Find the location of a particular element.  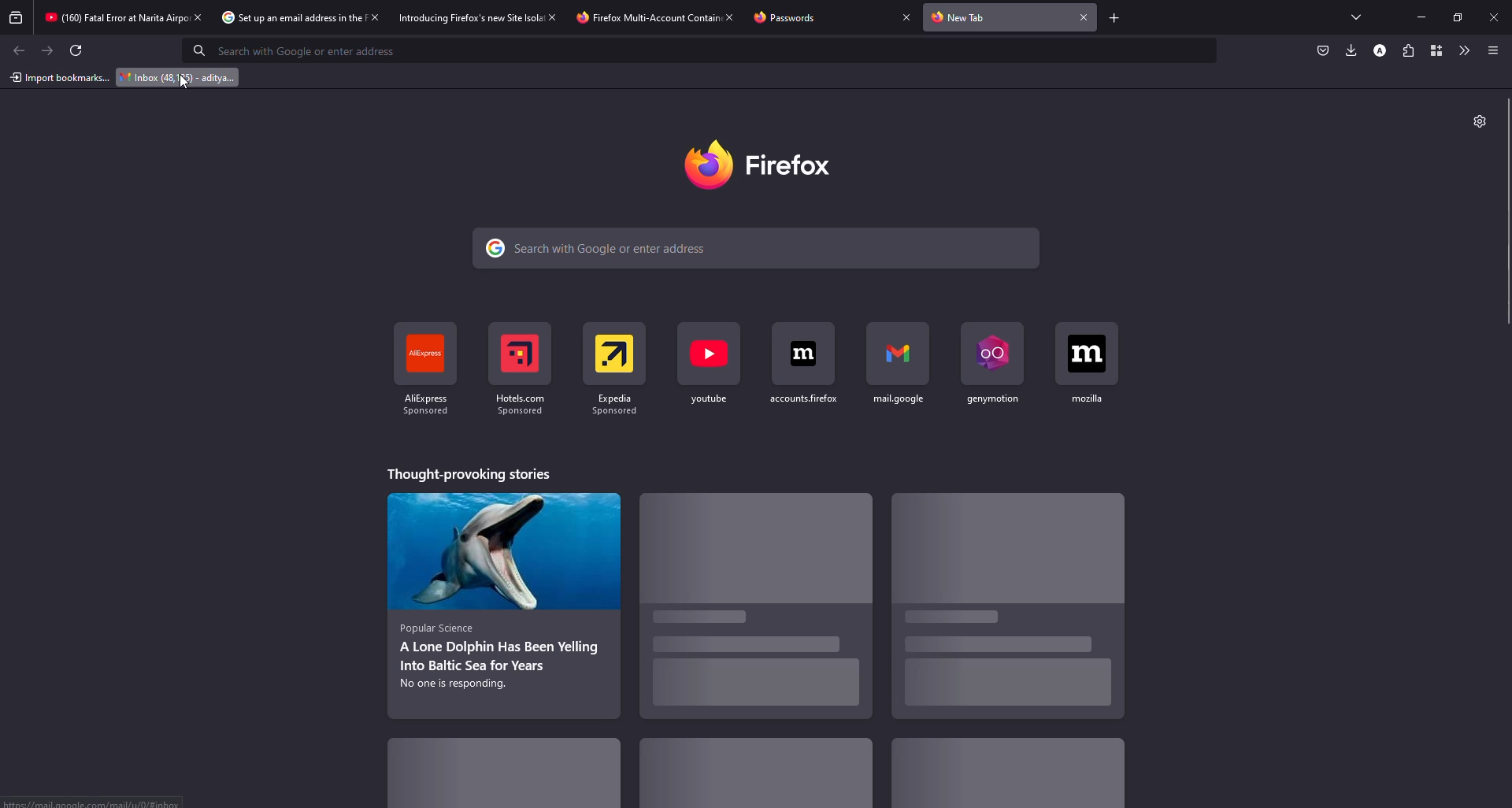

Set up an email address is located at coordinates (282, 17).